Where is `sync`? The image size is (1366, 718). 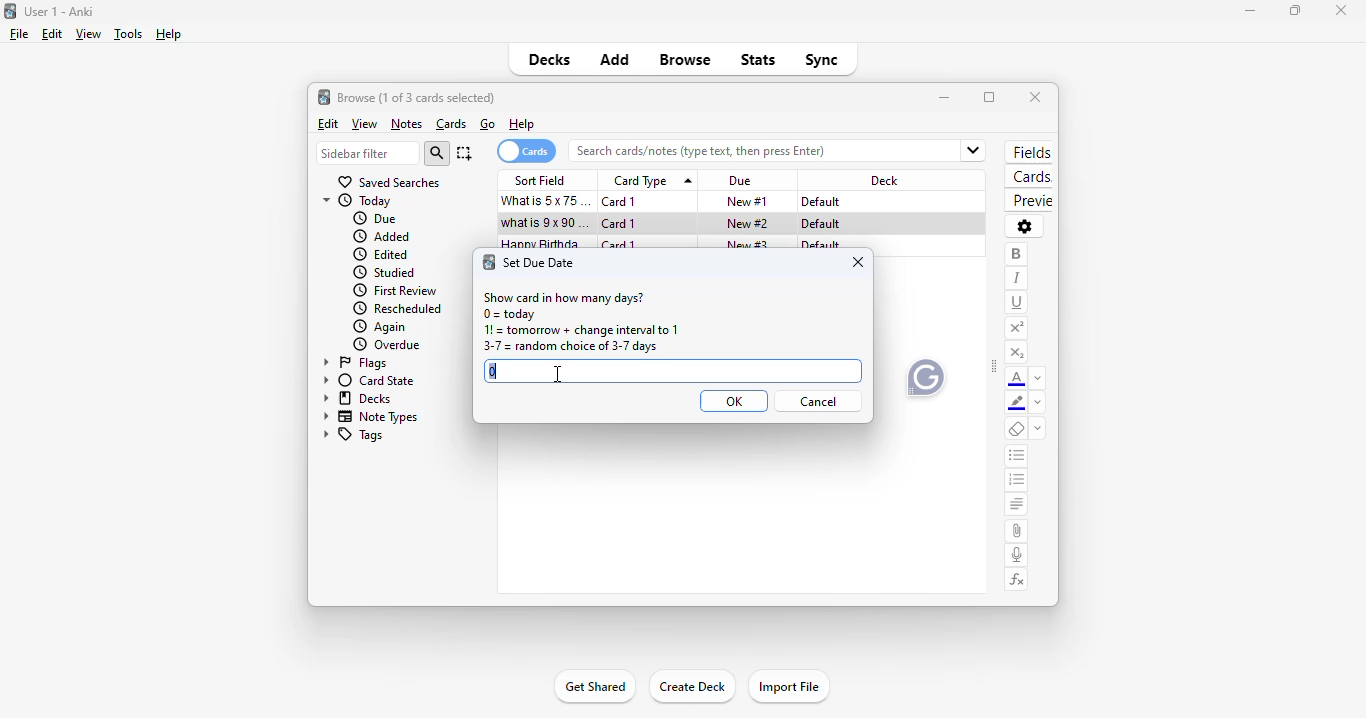 sync is located at coordinates (820, 61).